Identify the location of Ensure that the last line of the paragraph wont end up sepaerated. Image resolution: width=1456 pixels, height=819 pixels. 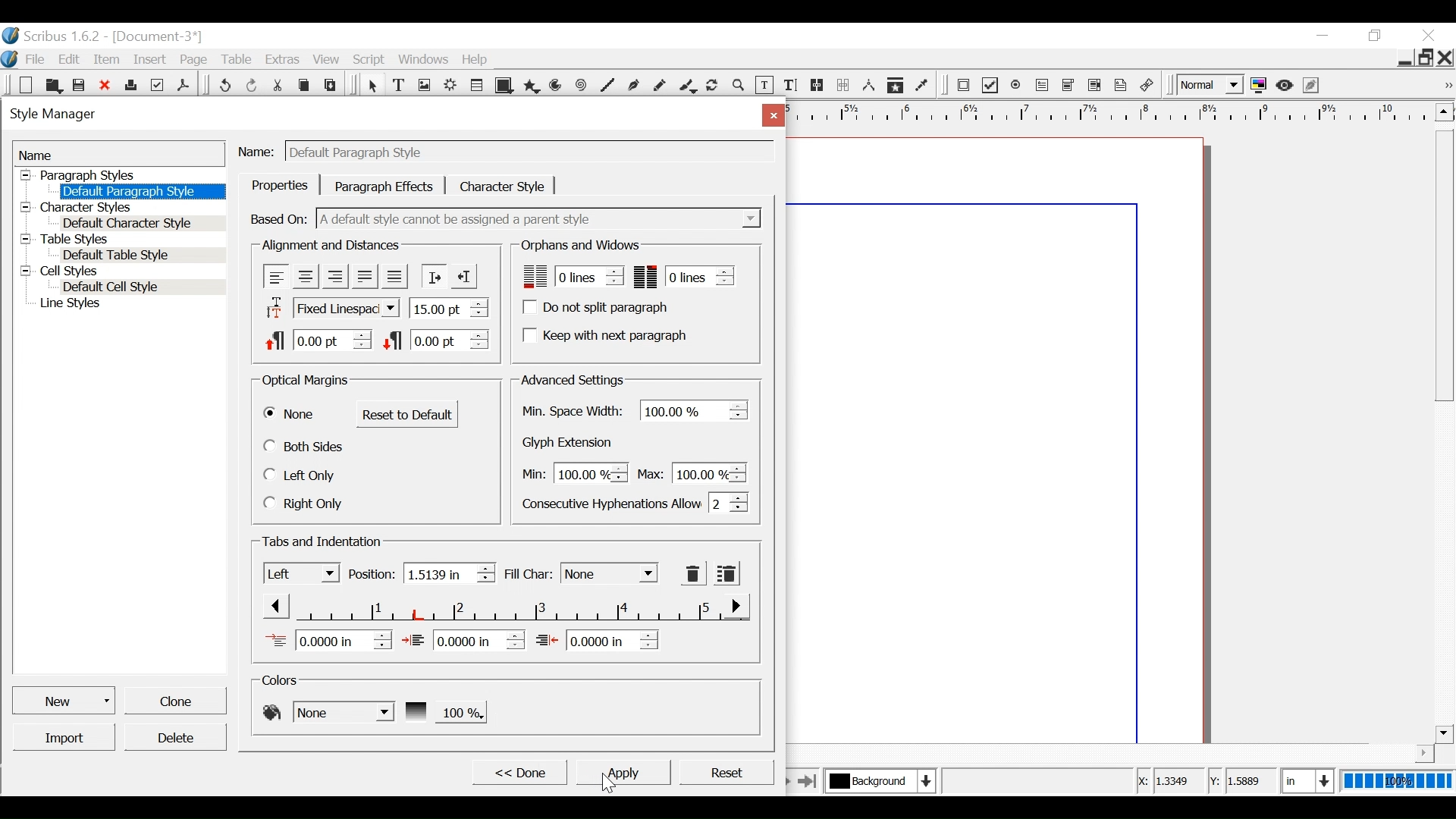
(685, 276).